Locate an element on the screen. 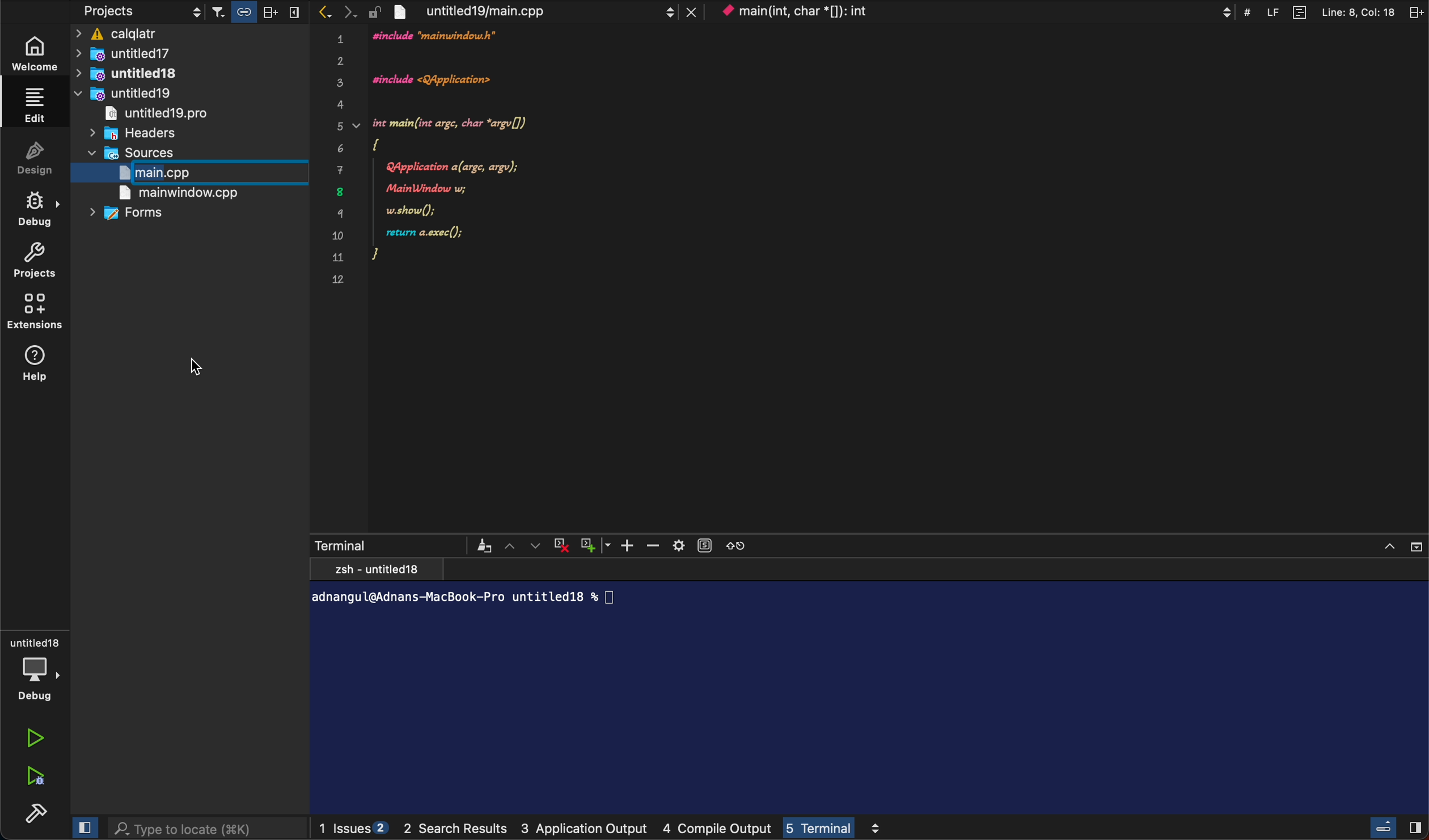 The width and height of the screenshot is (1429, 840). close slide Bar is located at coordinates (1396, 827).